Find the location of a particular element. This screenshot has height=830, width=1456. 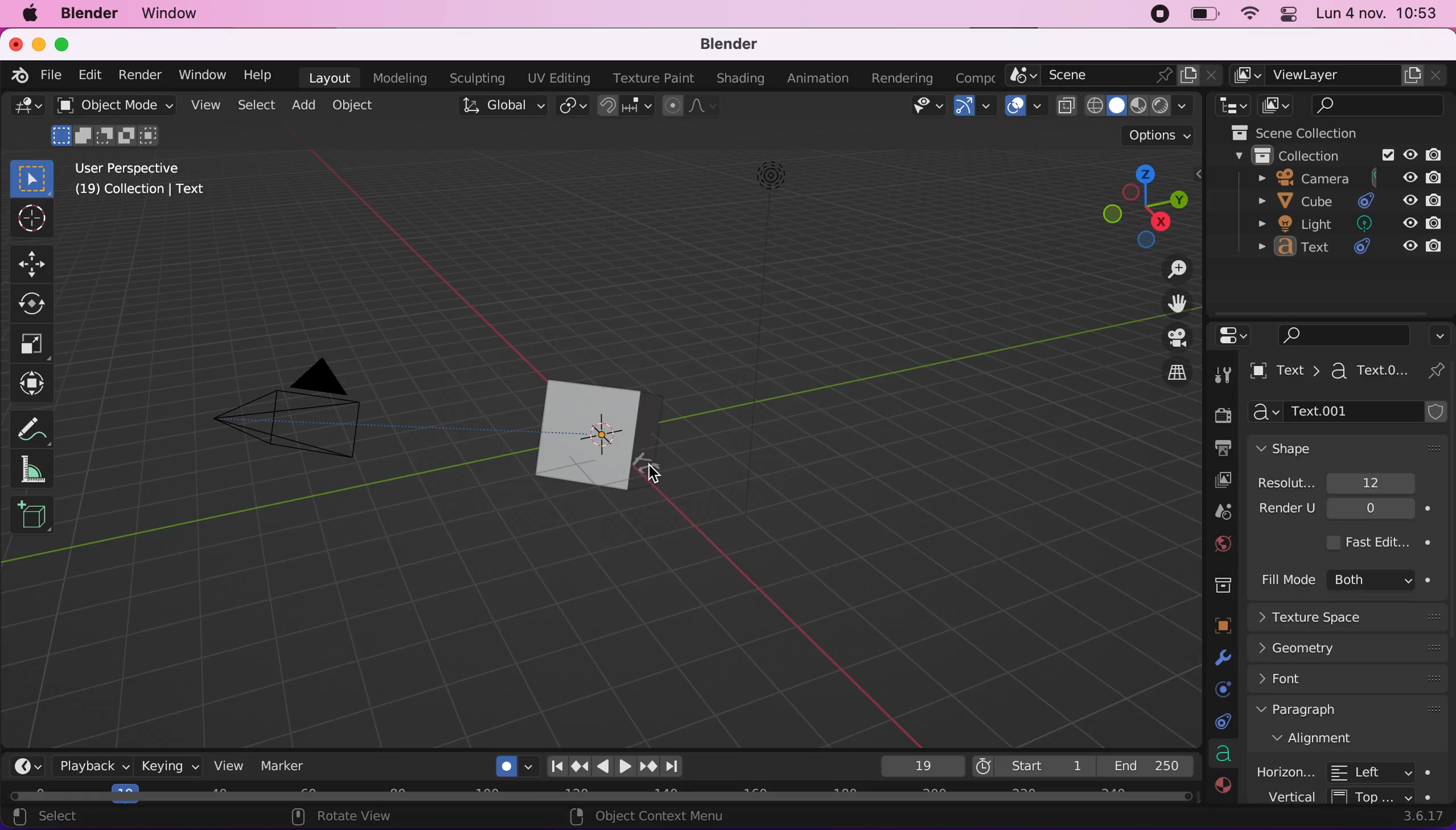

camera is located at coordinates (309, 422).